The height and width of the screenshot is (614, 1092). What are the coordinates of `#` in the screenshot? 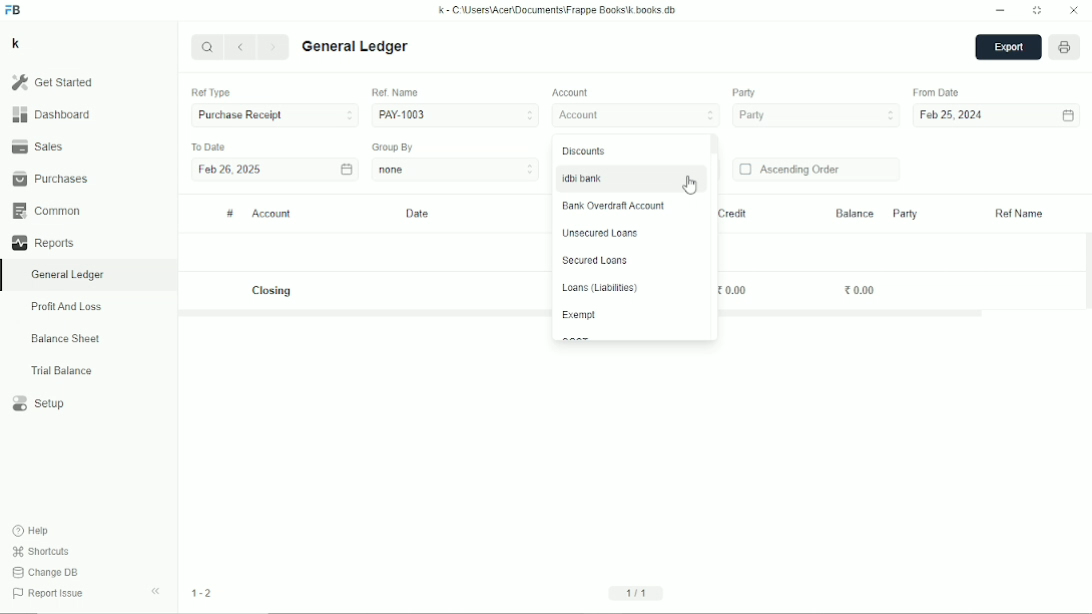 It's located at (230, 214).